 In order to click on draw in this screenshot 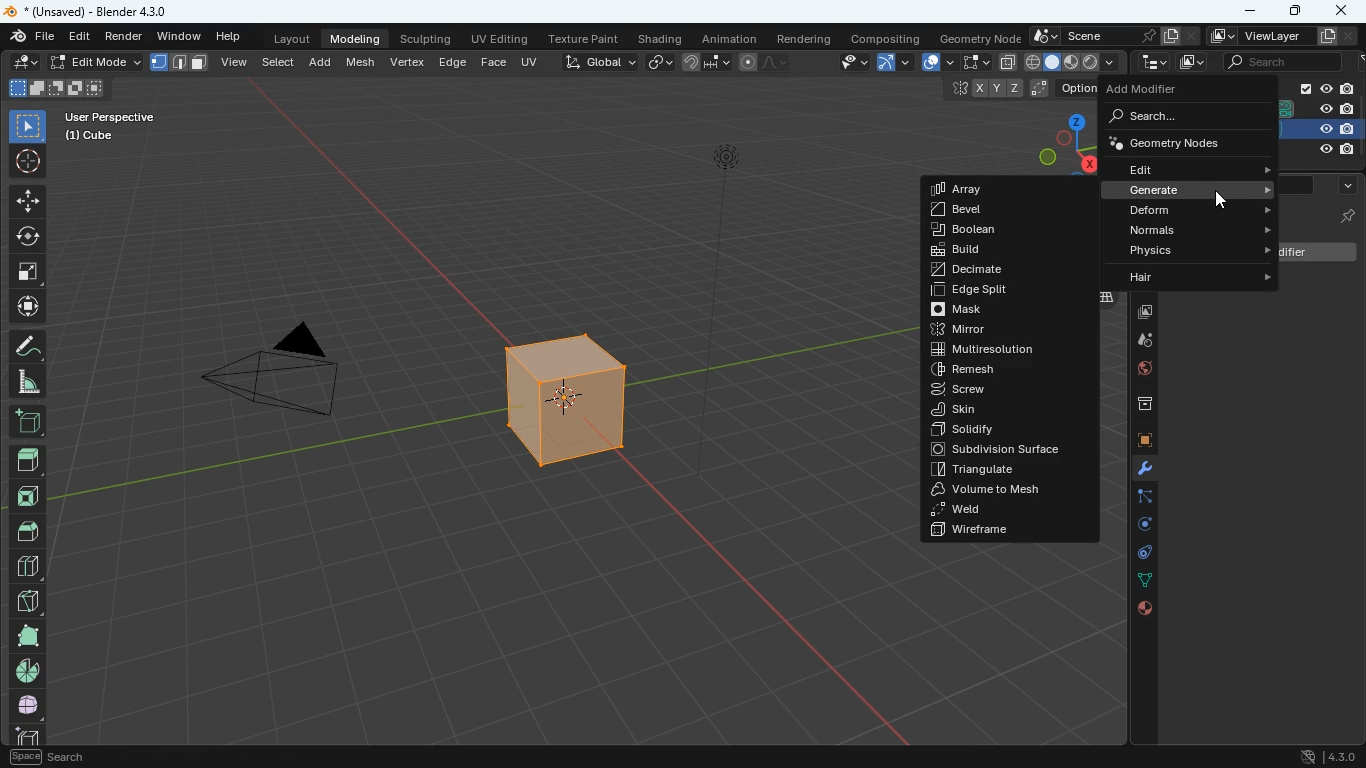, I will do `click(765, 61)`.